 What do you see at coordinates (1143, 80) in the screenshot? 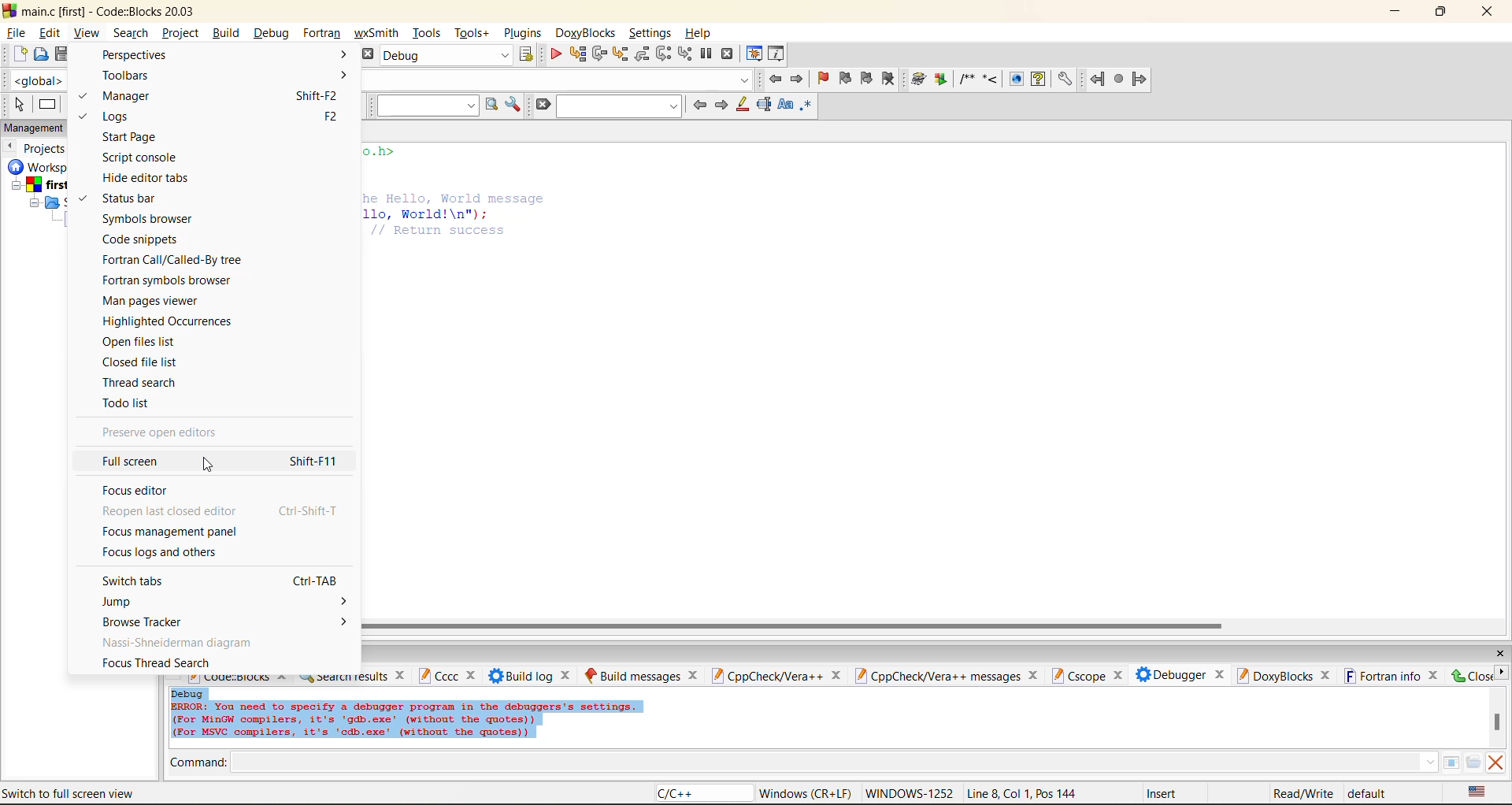
I see `jump forward` at bounding box center [1143, 80].